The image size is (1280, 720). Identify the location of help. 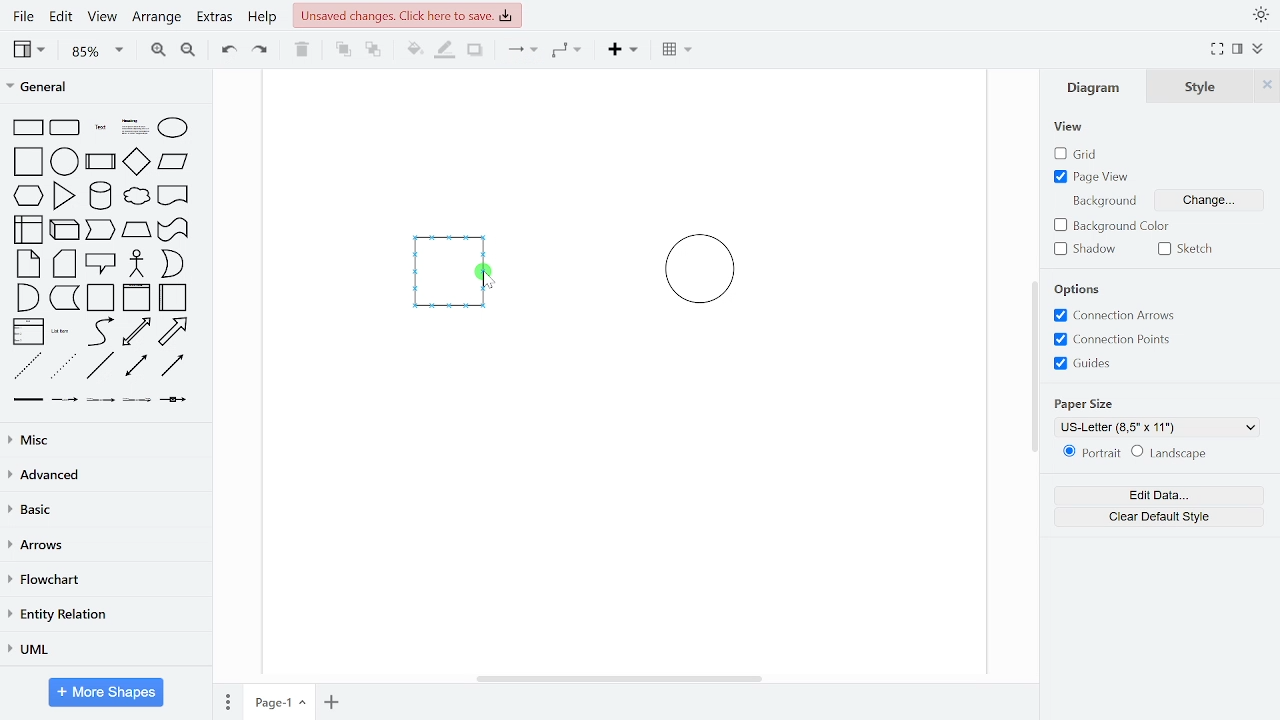
(262, 18).